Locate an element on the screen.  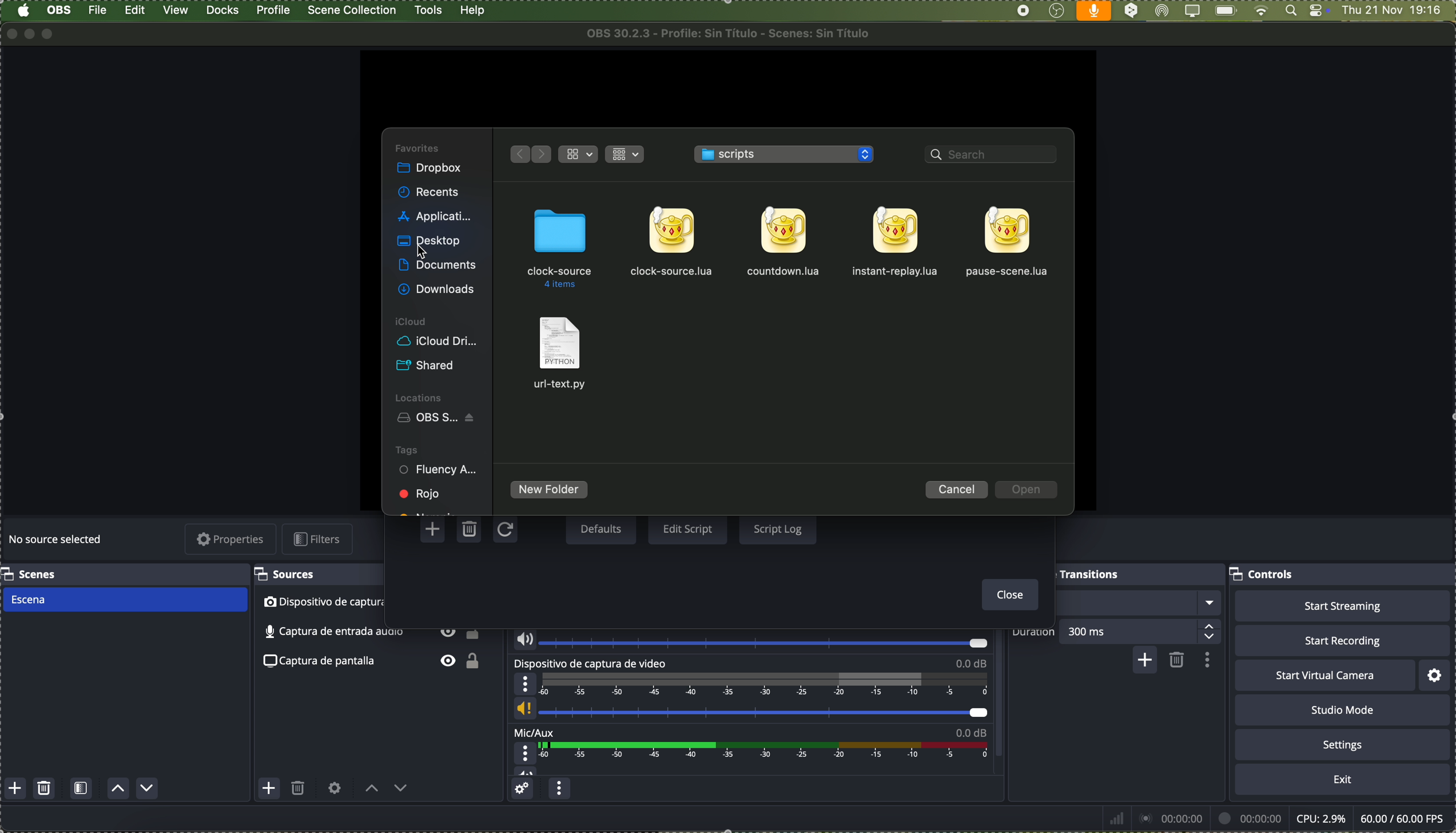
downloads is located at coordinates (439, 288).